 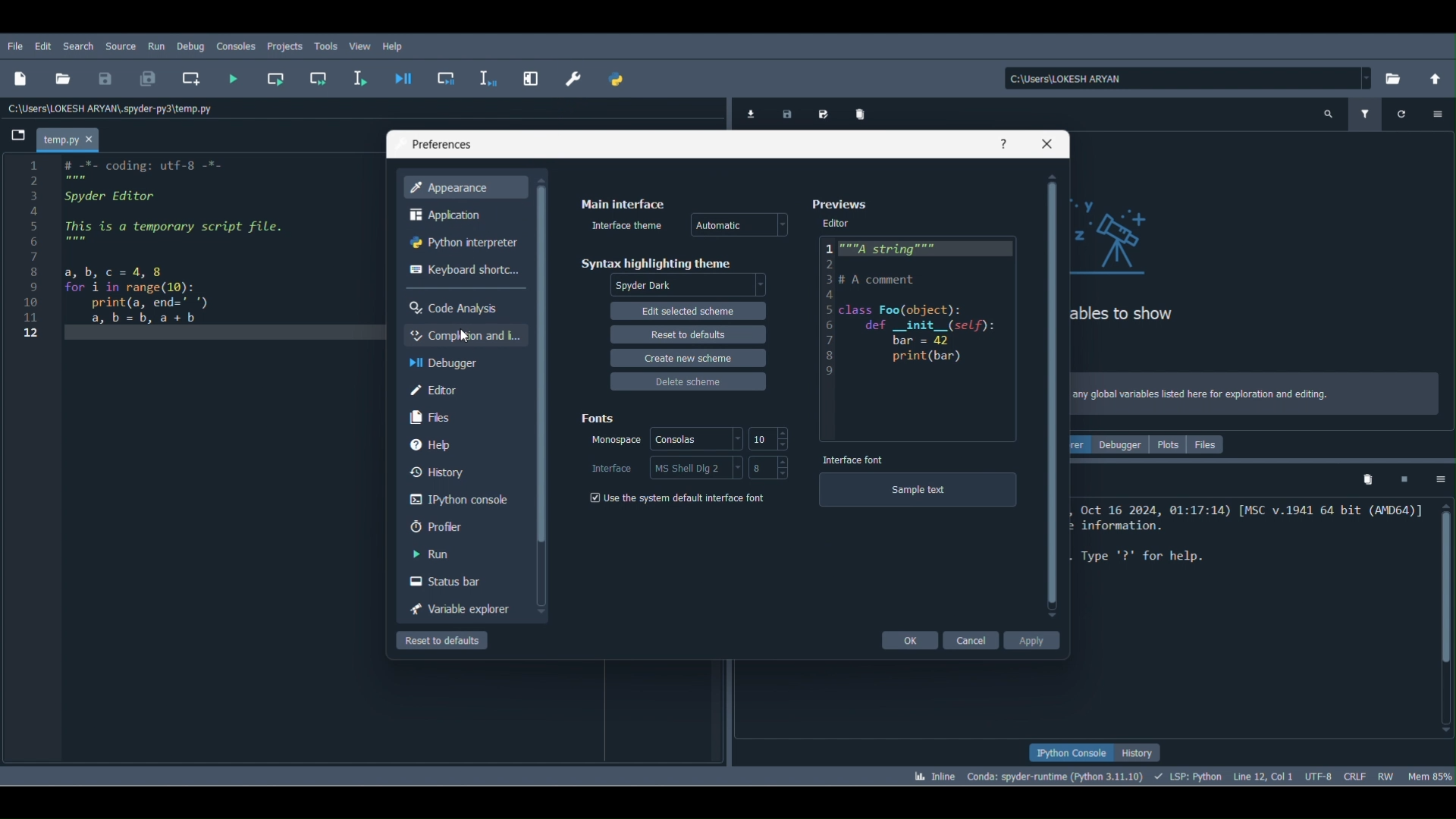 I want to click on History, so click(x=1144, y=748).